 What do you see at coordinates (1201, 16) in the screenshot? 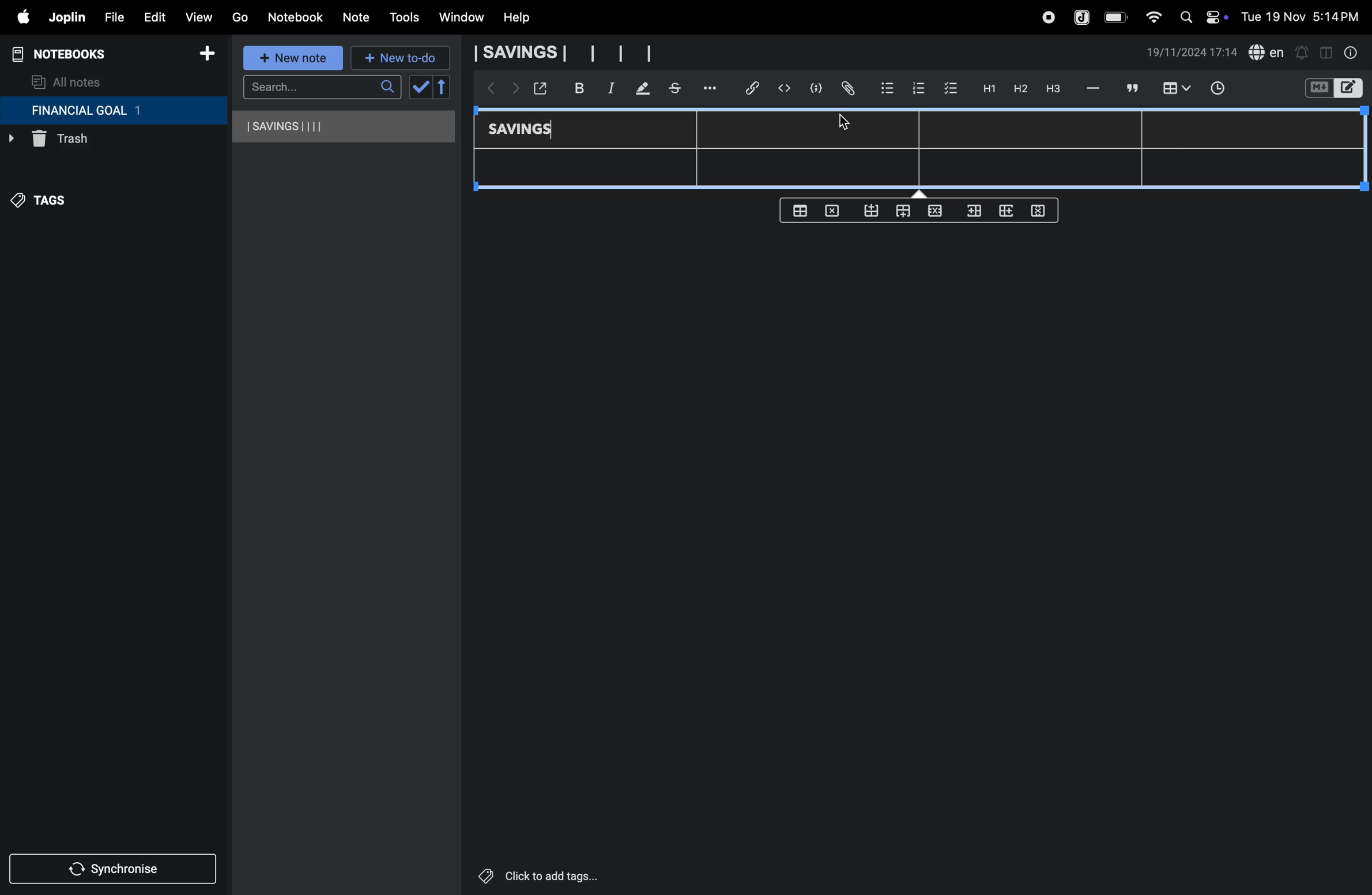
I see `apple widgets` at bounding box center [1201, 16].